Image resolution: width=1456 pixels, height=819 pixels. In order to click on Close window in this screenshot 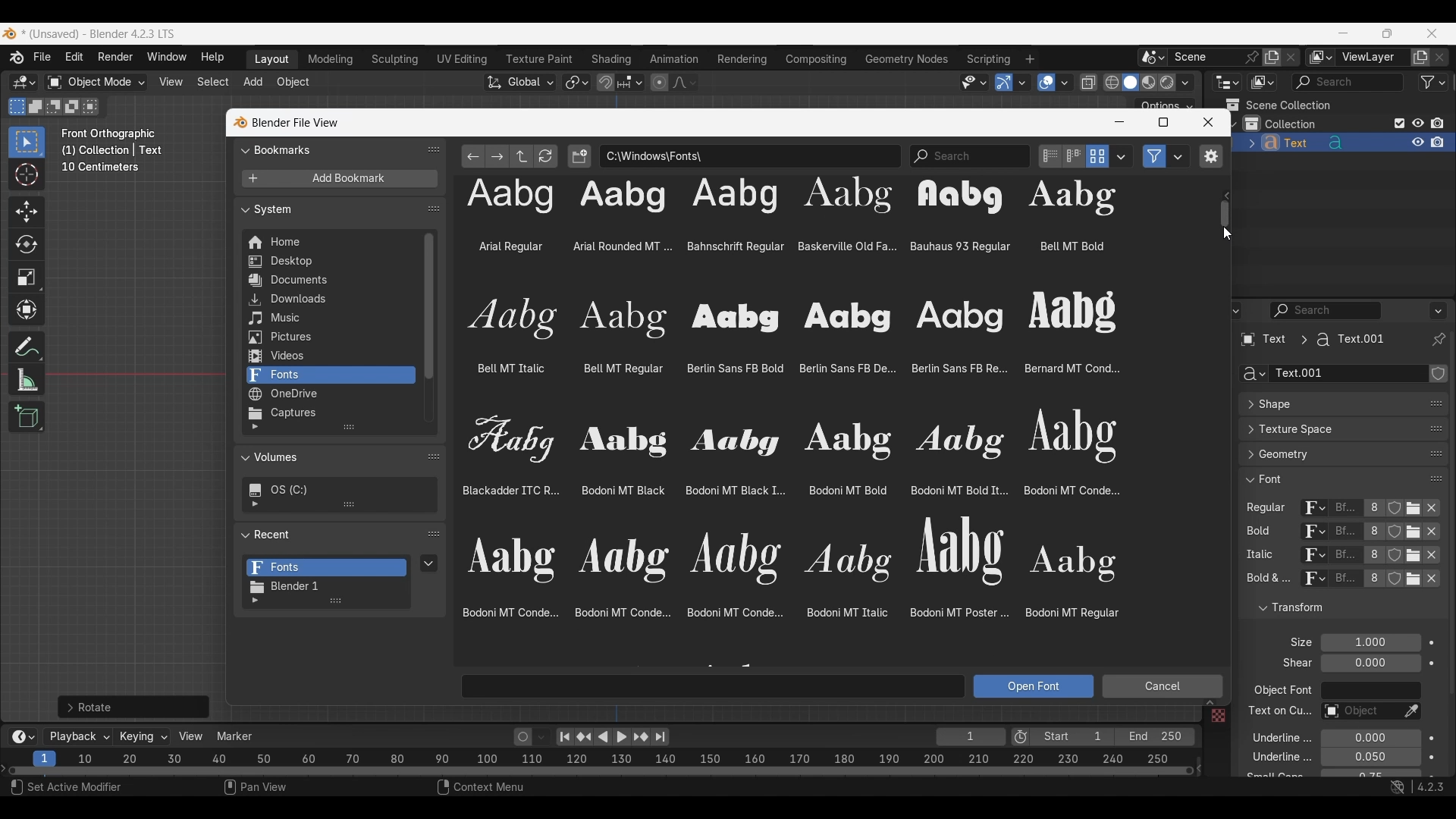, I will do `click(1208, 122)`.